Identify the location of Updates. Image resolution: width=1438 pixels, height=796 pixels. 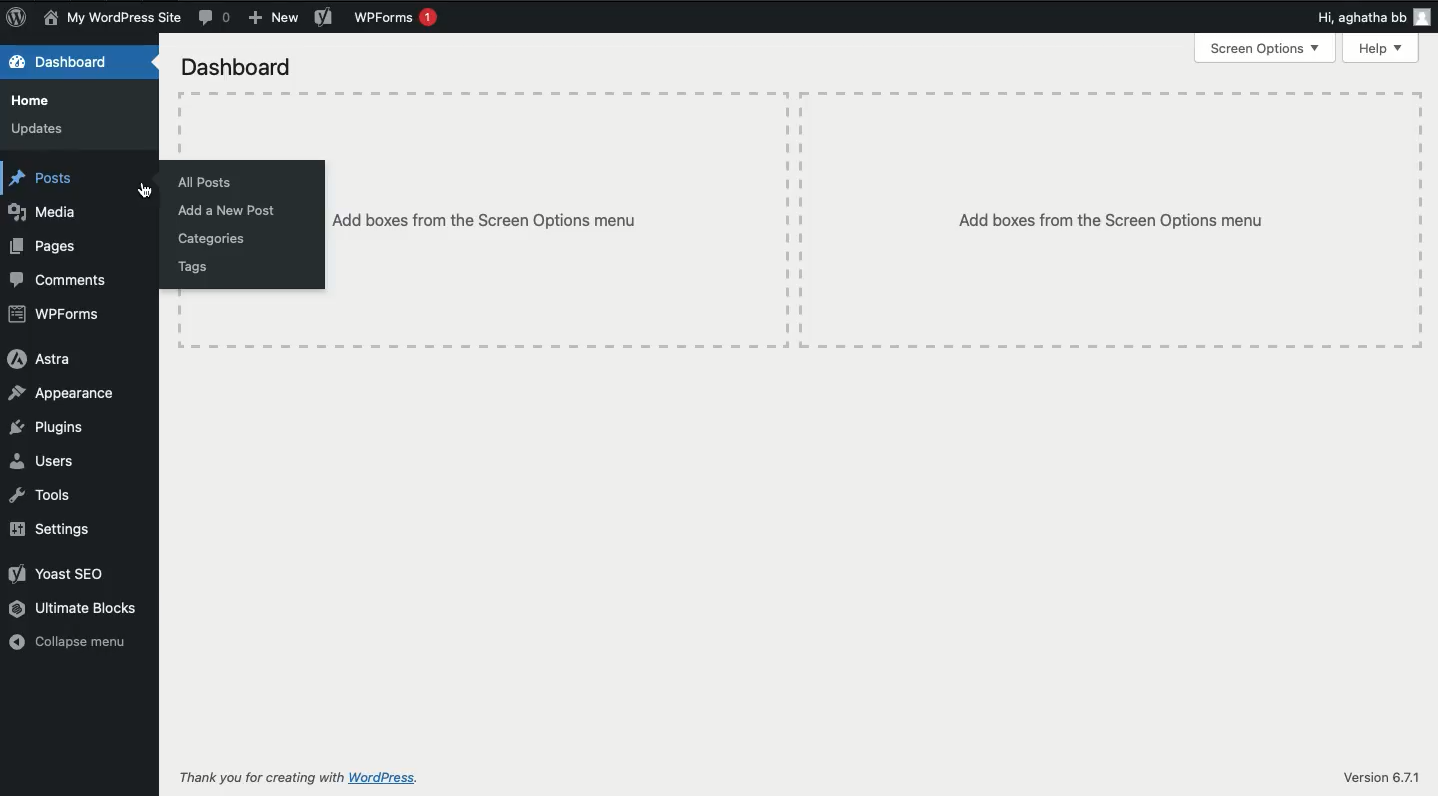
(43, 129).